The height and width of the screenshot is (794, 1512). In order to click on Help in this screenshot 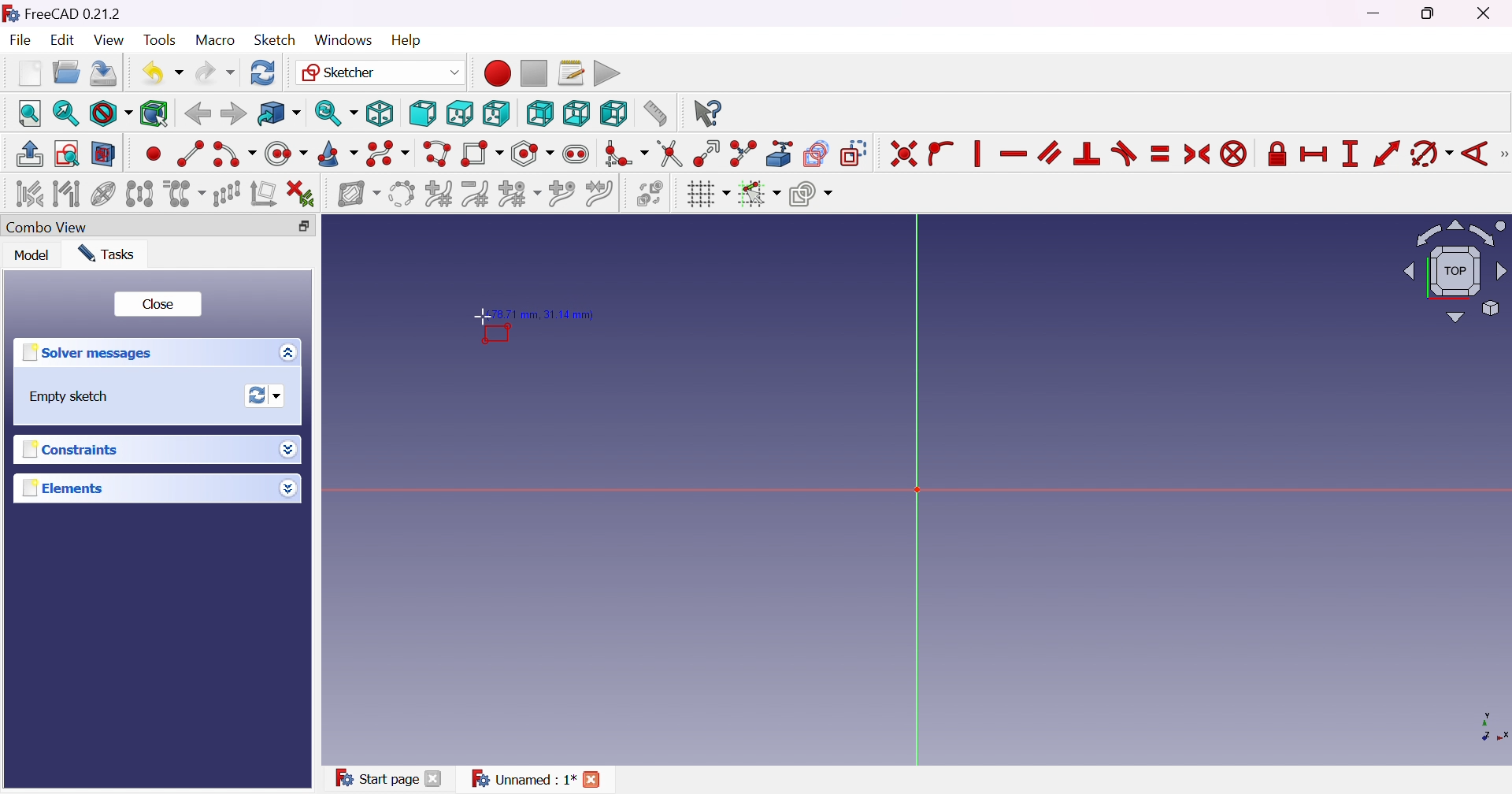, I will do `click(407, 40)`.